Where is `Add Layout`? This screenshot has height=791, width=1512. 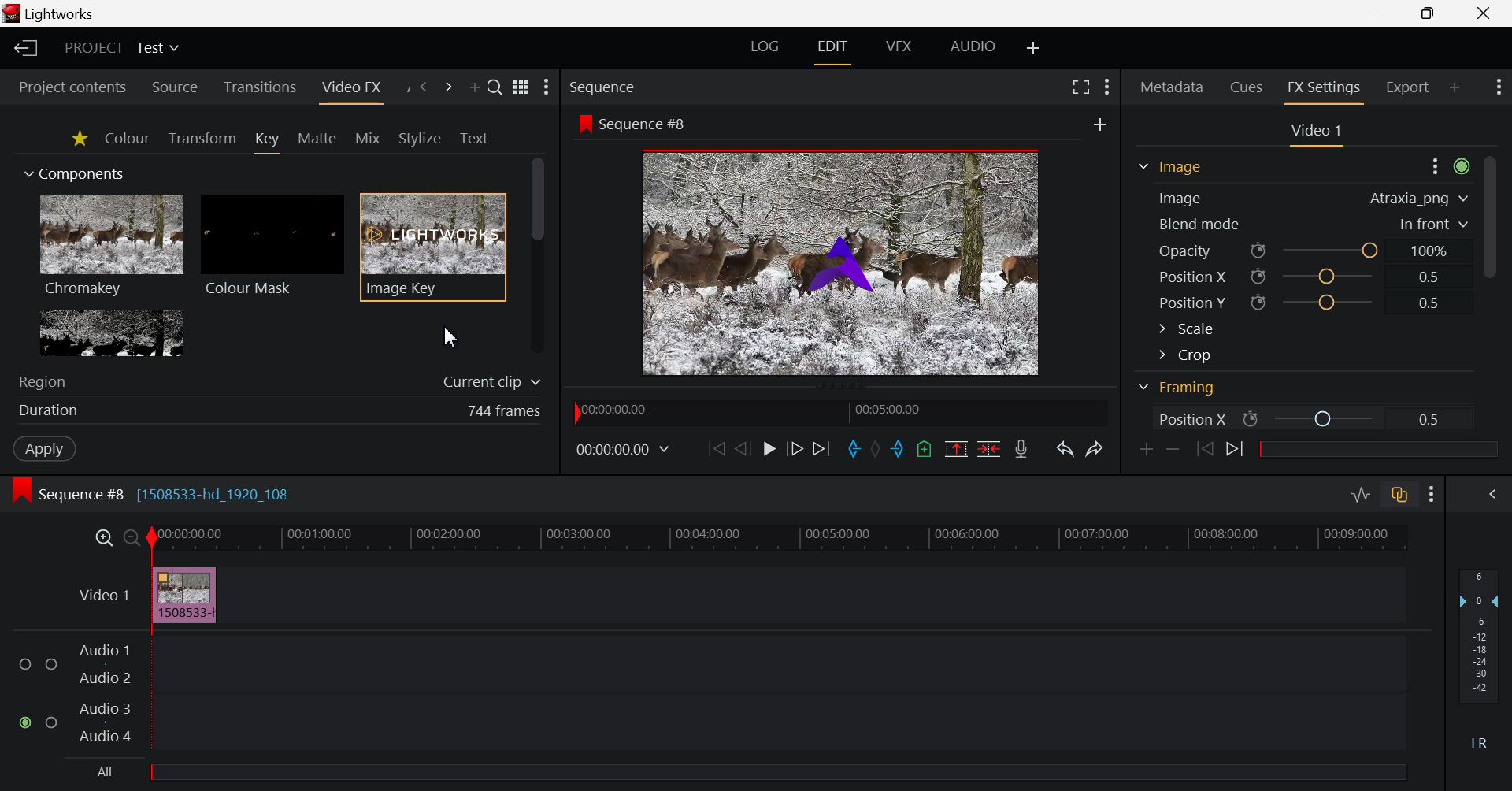
Add Layout is located at coordinates (1032, 45).